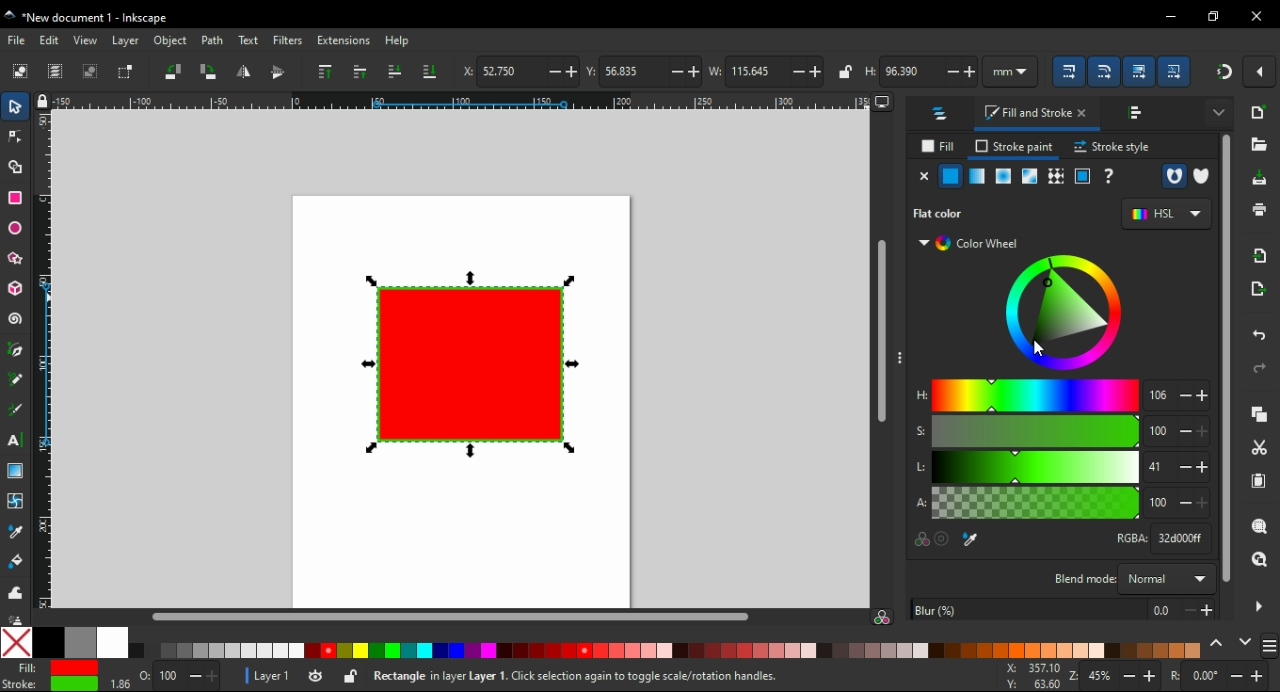 The width and height of the screenshot is (1280, 692). What do you see at coordinates (15, 380) in the screenshot?
I see `pencil tool` at bounding box center [15, 380].